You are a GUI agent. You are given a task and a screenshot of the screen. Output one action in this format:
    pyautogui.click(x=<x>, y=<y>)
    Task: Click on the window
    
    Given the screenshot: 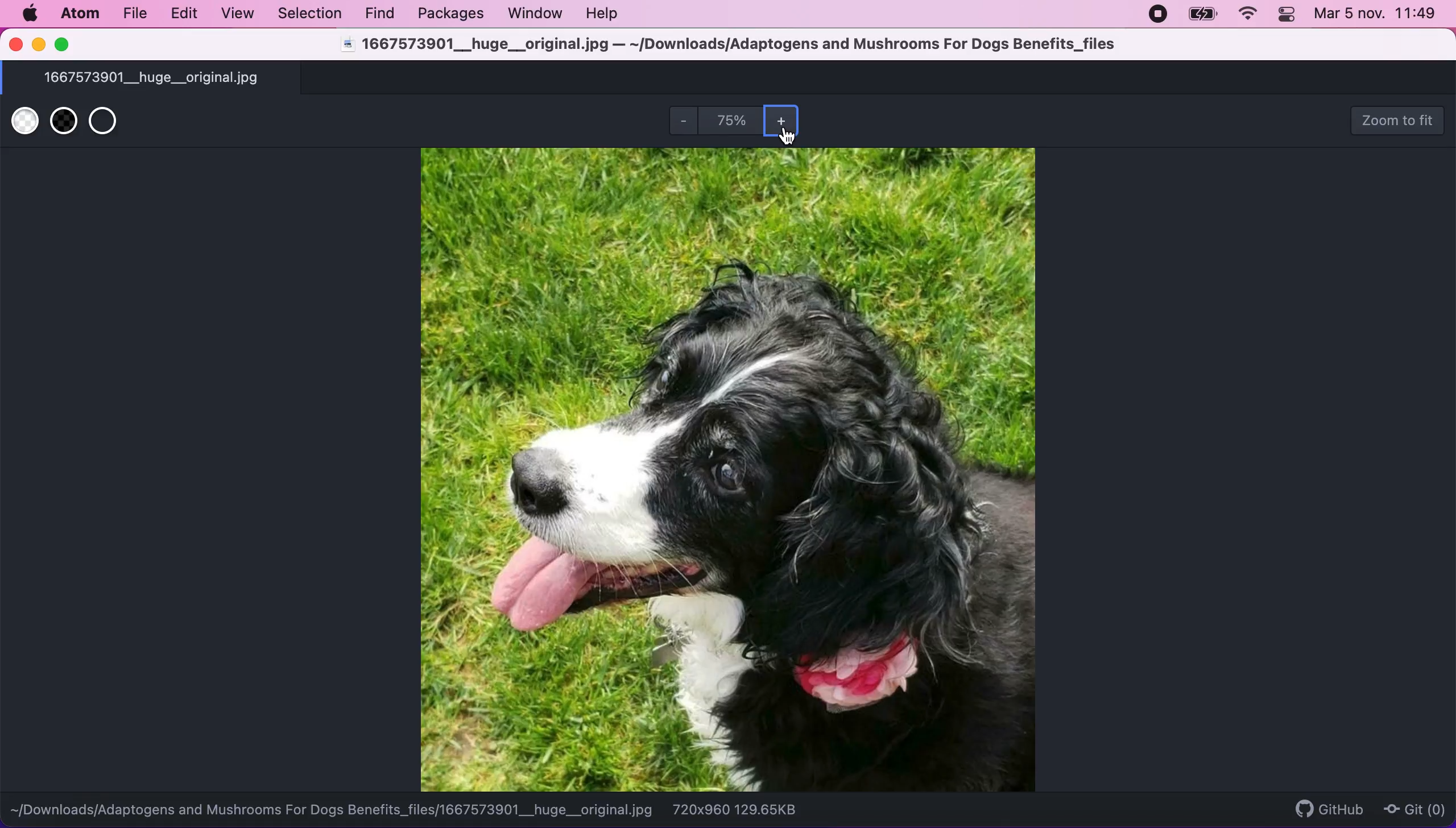 What is the action you would take?
    pyautogui.click(x=537, y=14)
    